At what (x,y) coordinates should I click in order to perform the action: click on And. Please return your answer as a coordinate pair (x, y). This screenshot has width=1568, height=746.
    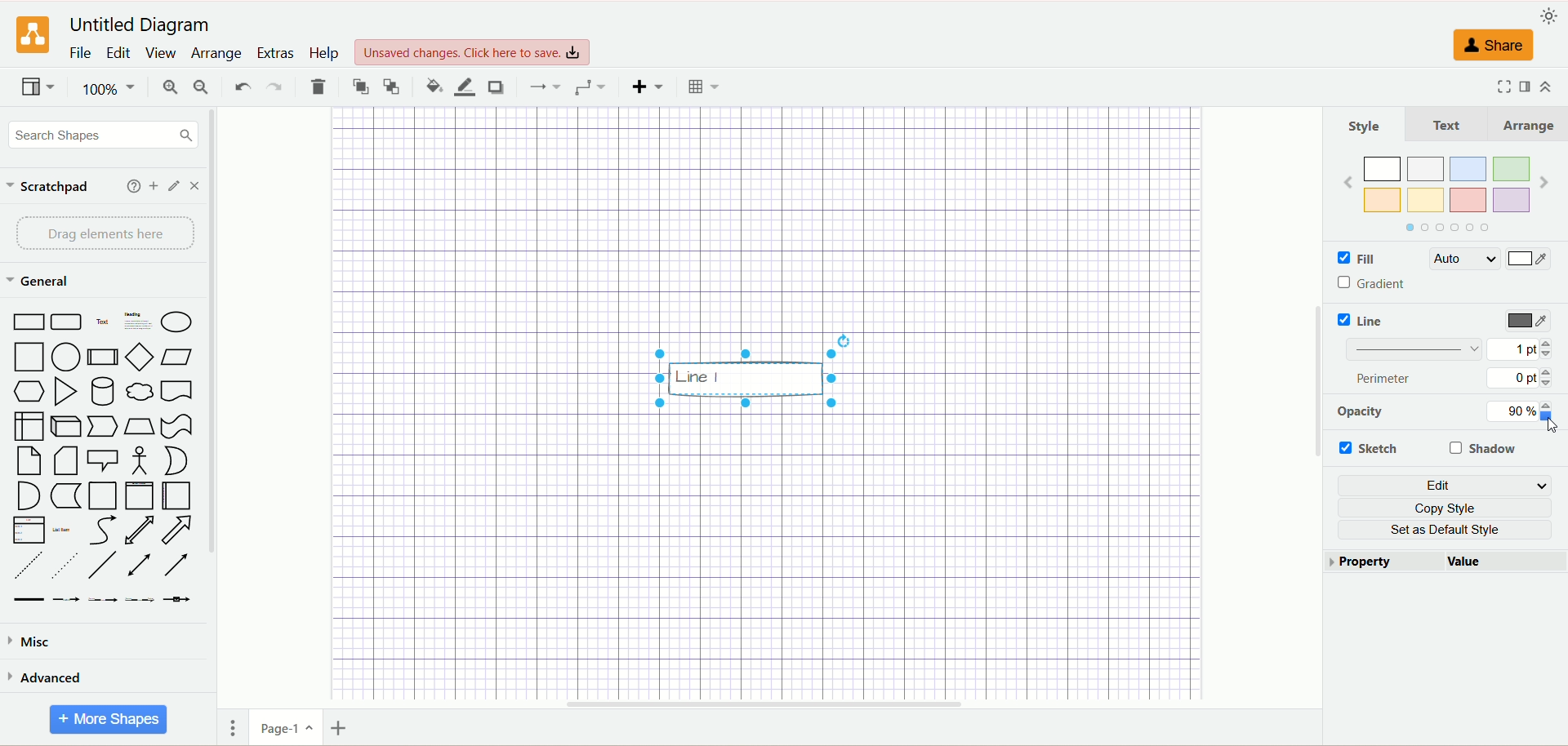
    Looking at the image, I should click on (29, 497).